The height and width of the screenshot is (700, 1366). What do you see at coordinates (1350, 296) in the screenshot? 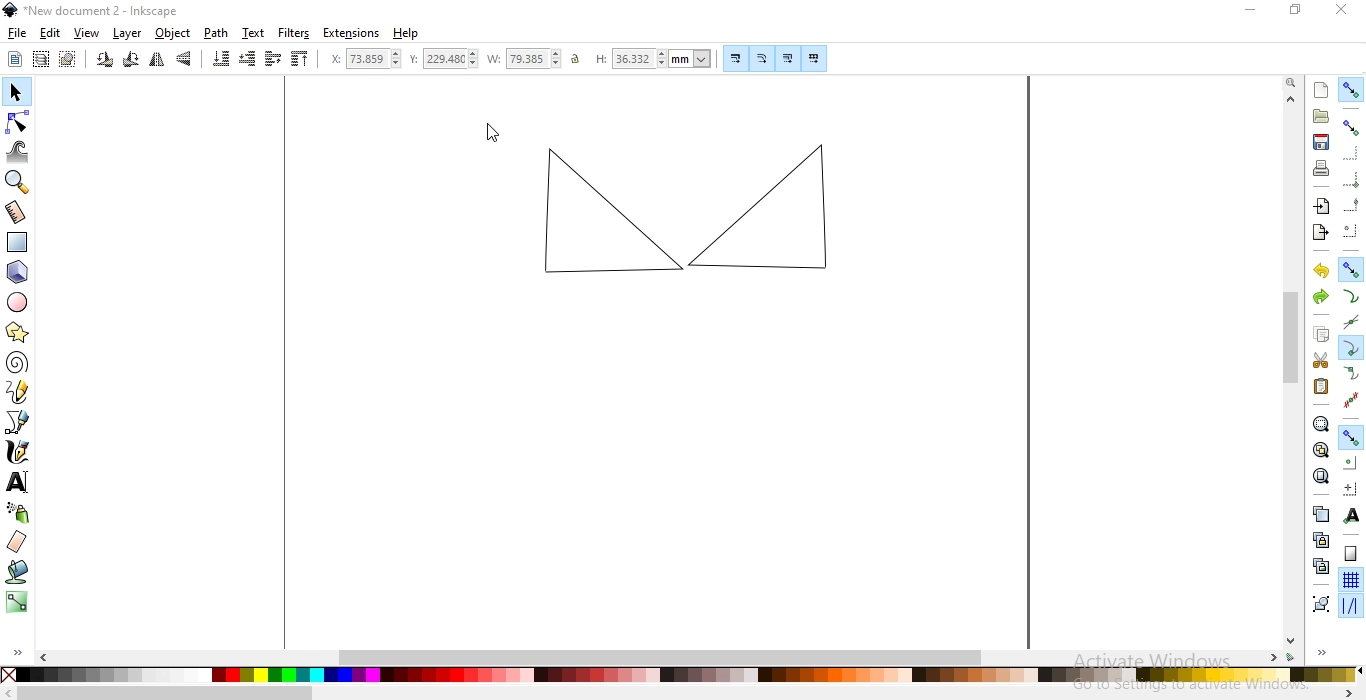
I see `snap to paths` at bounding box center [1350, 296].